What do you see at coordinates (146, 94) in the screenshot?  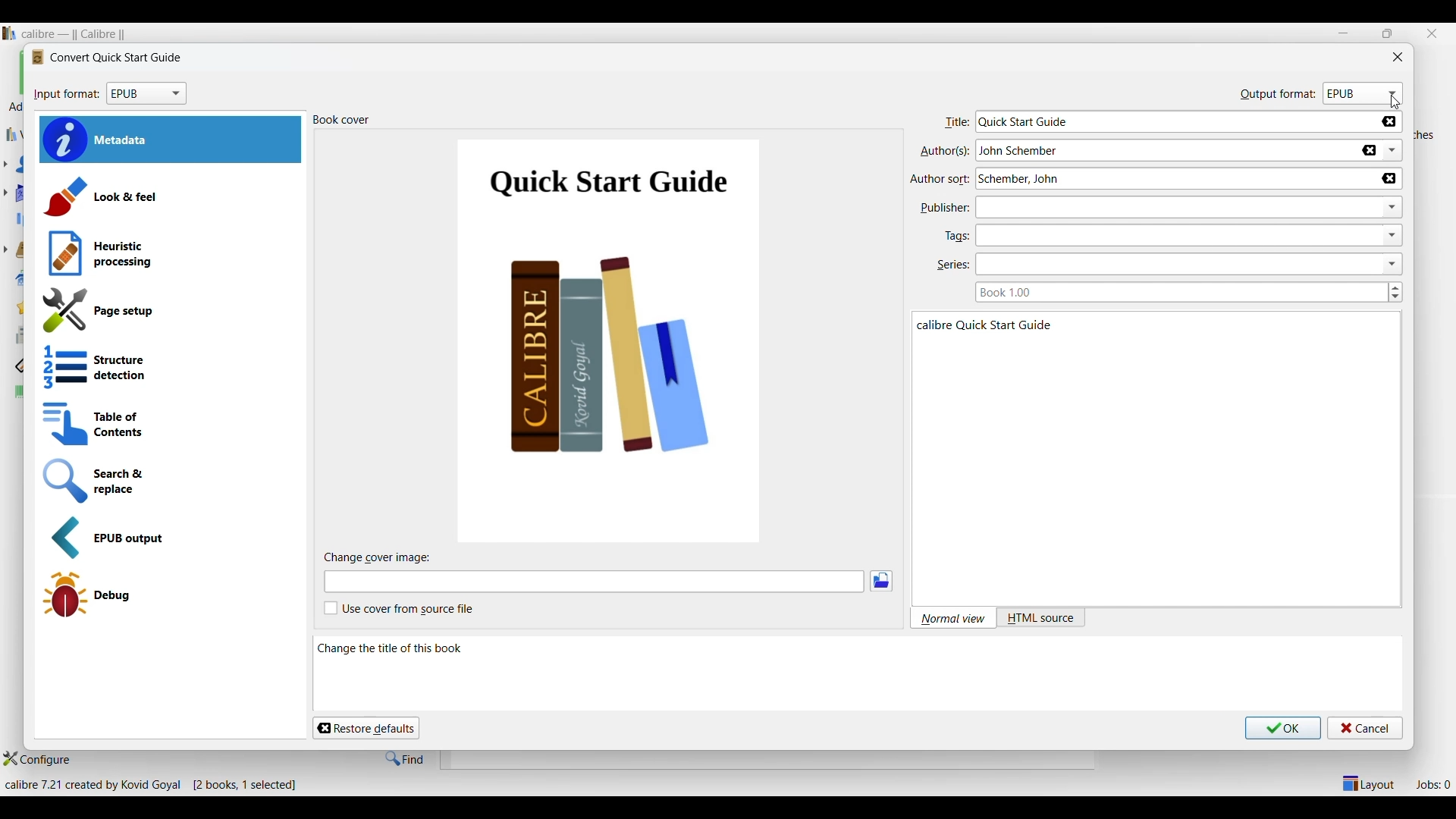 I see `Format options` at bounding box center [146, 94].